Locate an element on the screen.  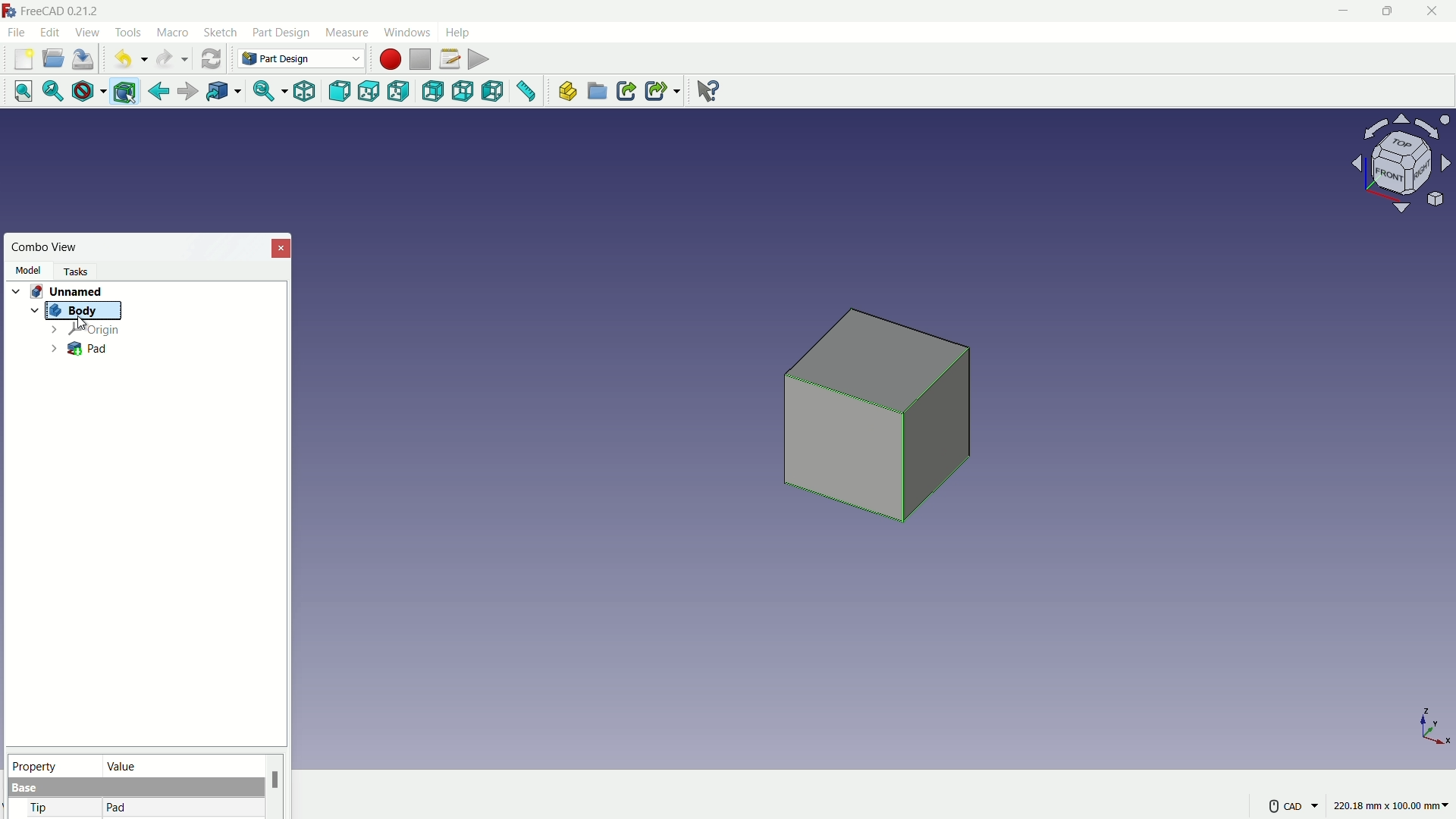
right view is located at coordinates (400, 94).